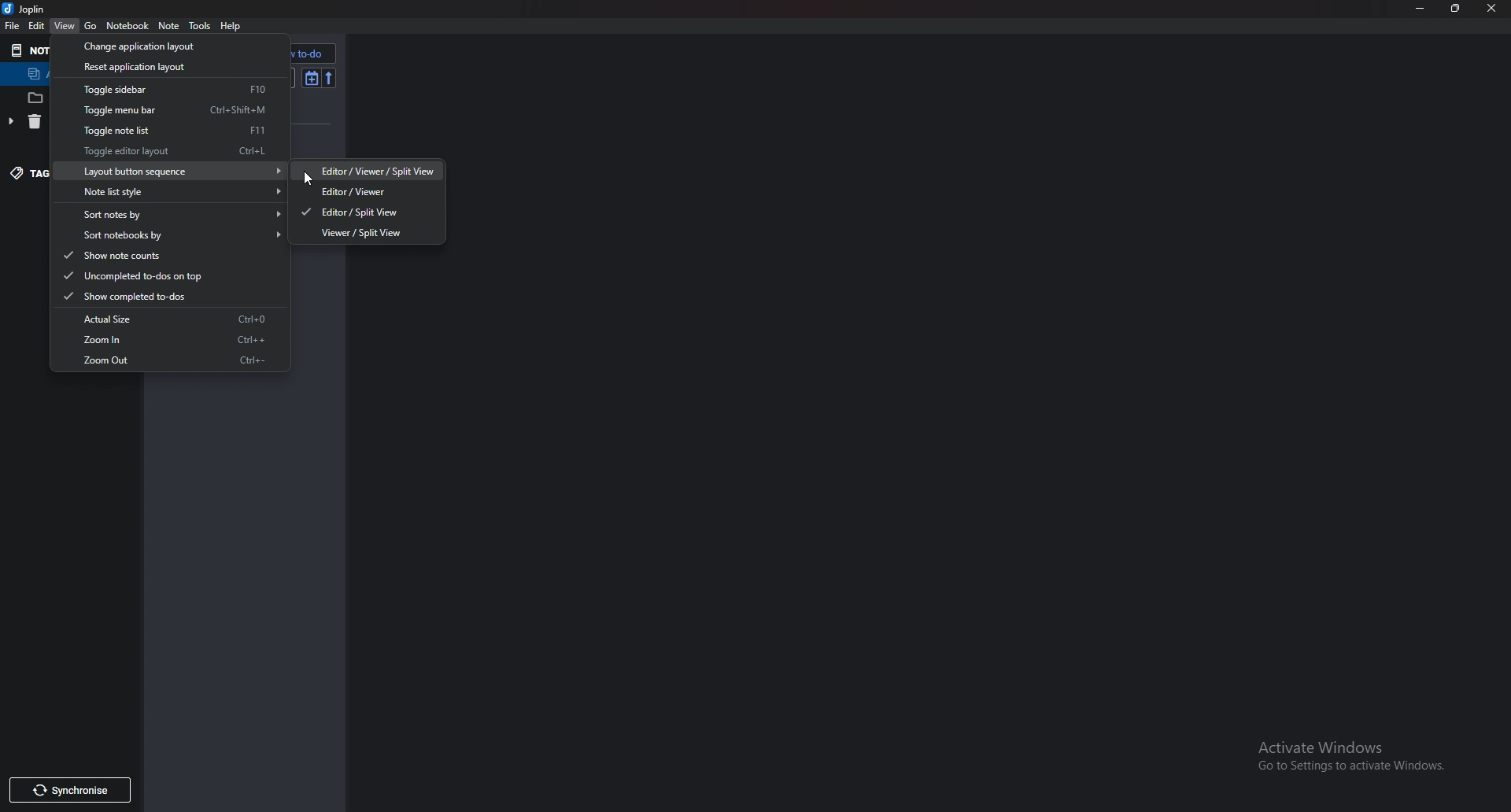 Image resolution: width=1511 pixels, height=812 pixels. What do you see at coordinates (368, 233) in the screenshot?
I see `viewer/ split view` at bounding box center [368, 233].